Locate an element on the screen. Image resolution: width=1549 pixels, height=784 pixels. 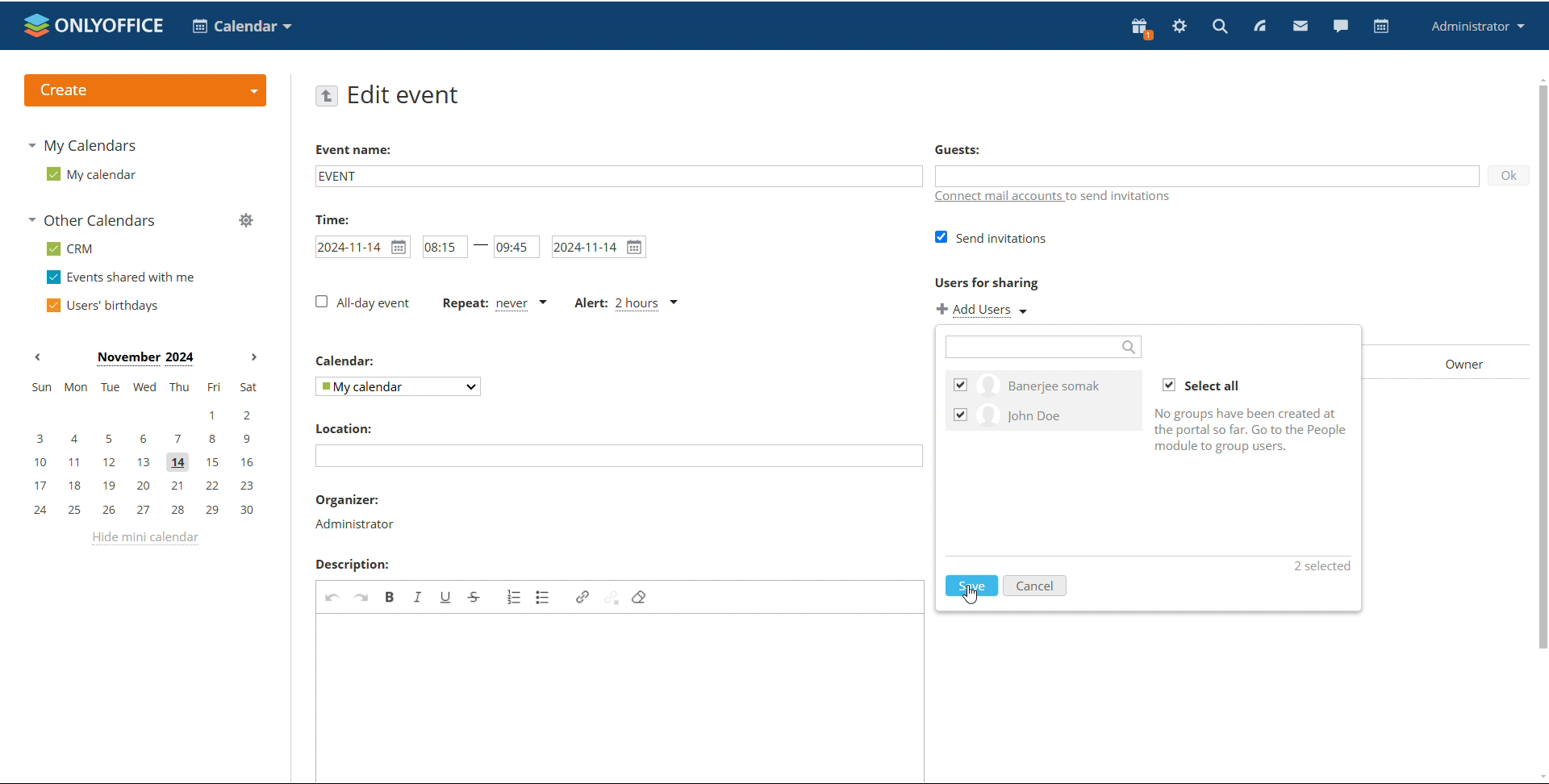
calendar is located at coordinates (1382, 27).